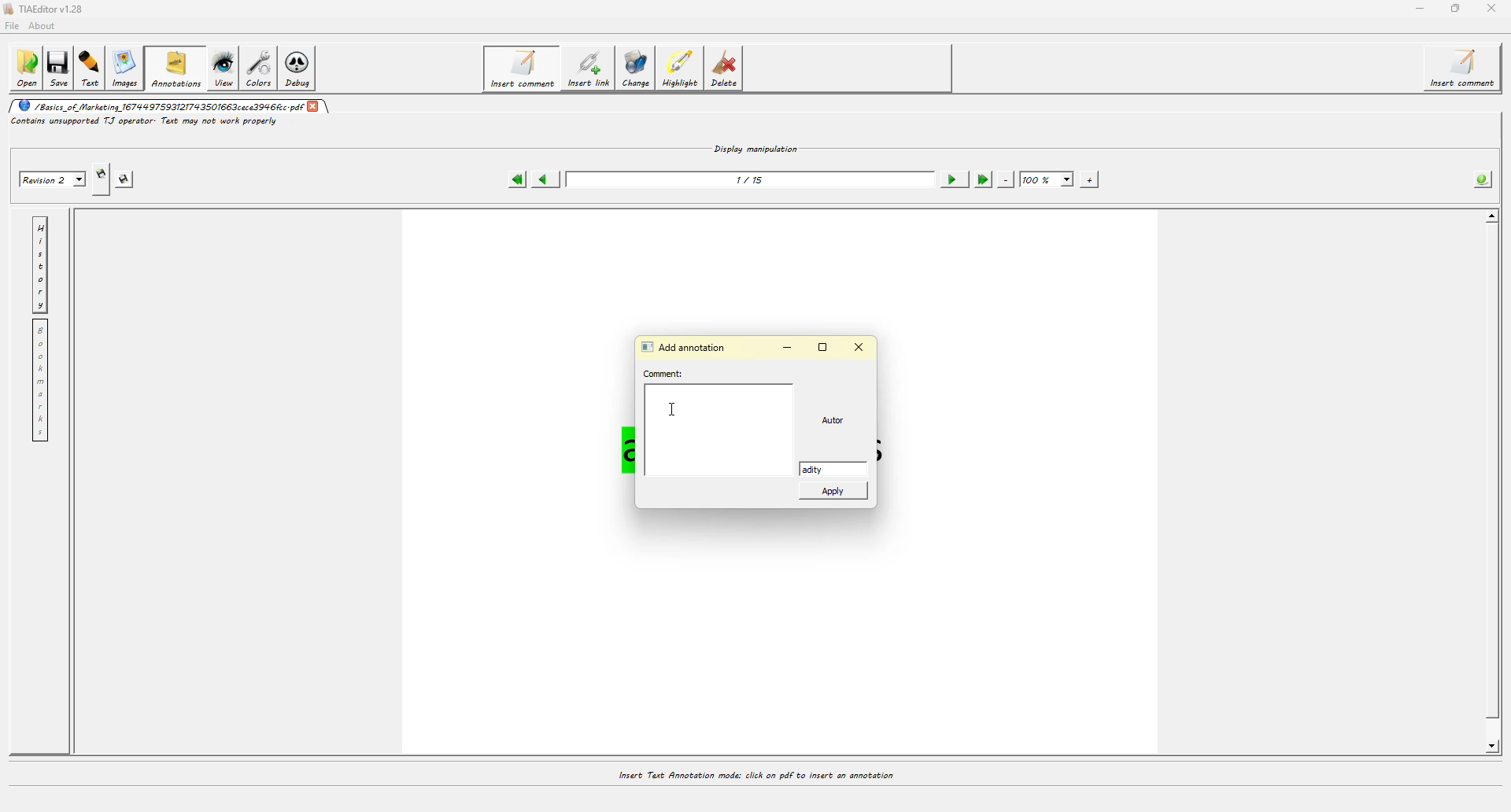 The width and height of the screenshot is (1511, 812). I want to click on bookmarks, so click(39, 381).